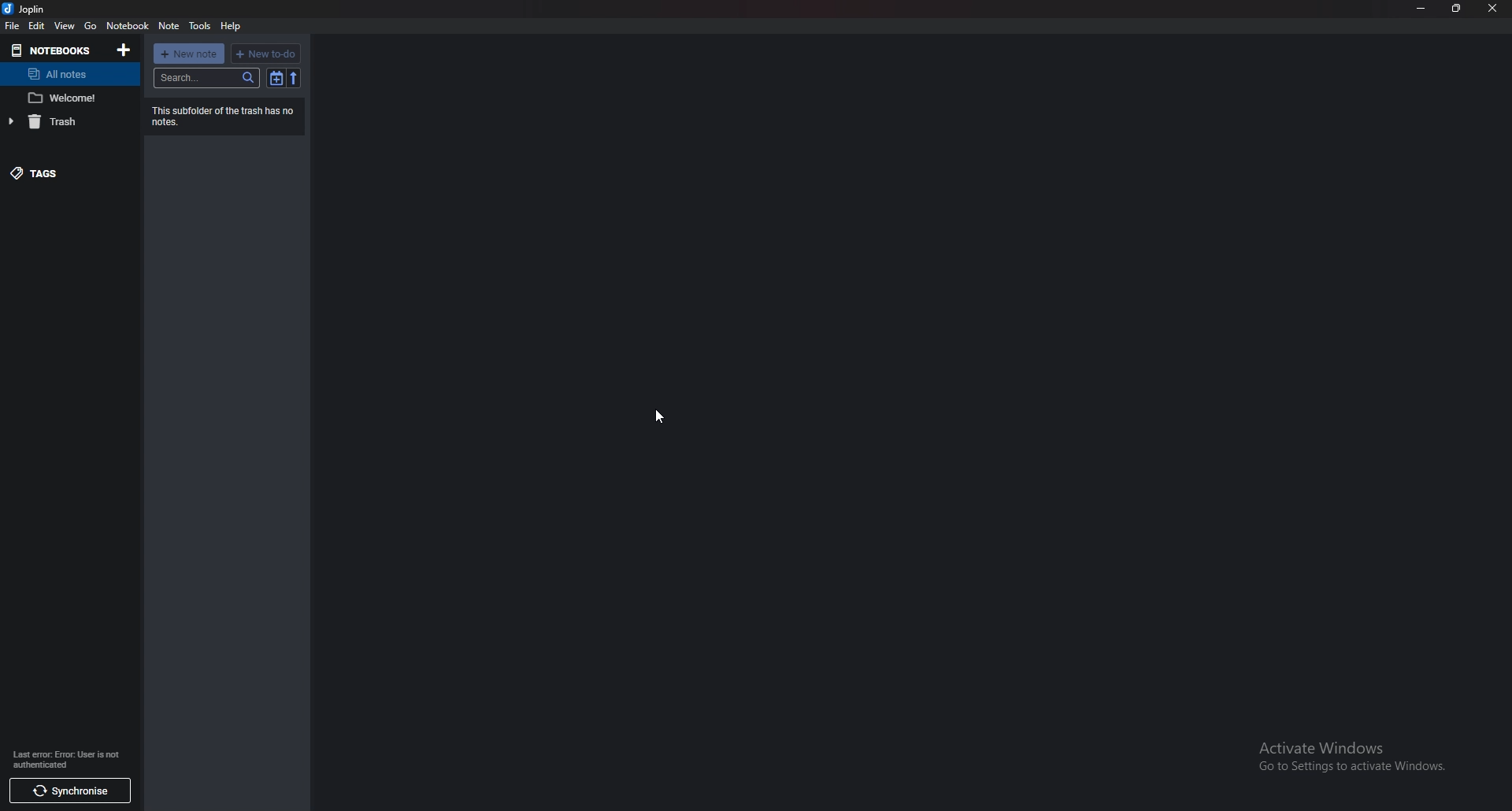  What do you see at coordinates (68, 122) in the screenshot?
I see `trash` at bounding box center [68, 122].